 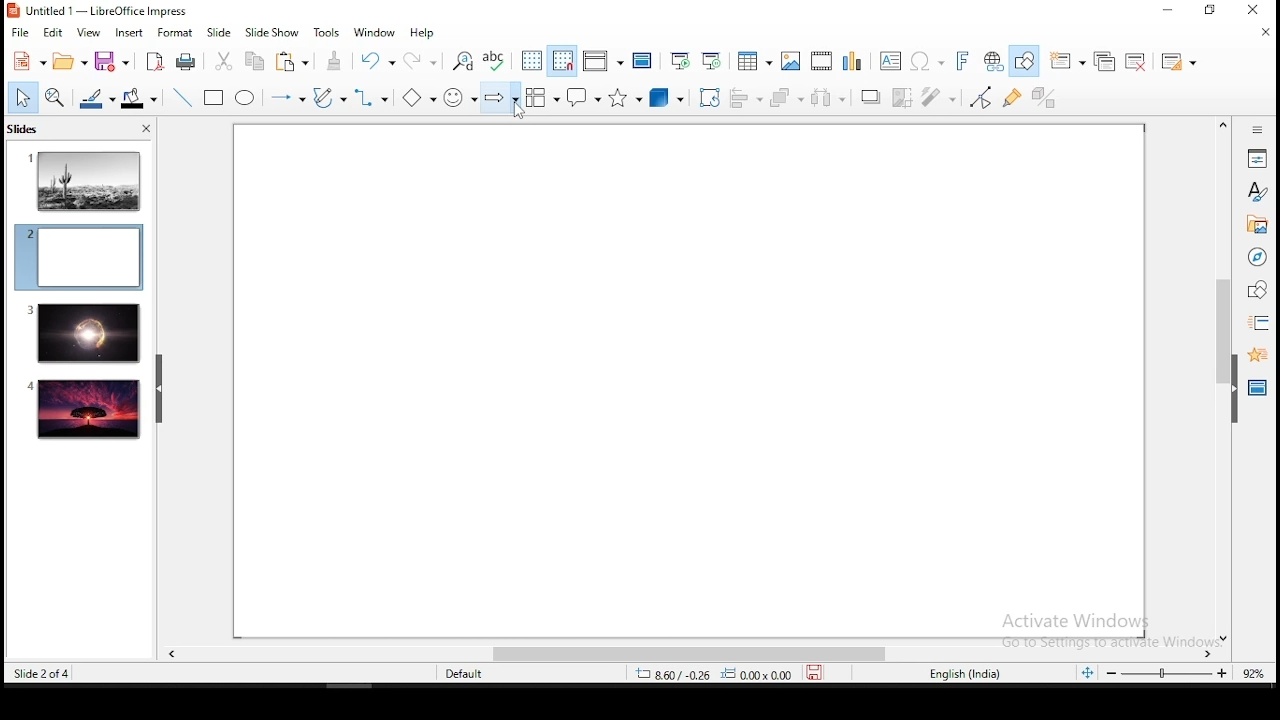 I want to click on window name, so click(x=100, y=10).